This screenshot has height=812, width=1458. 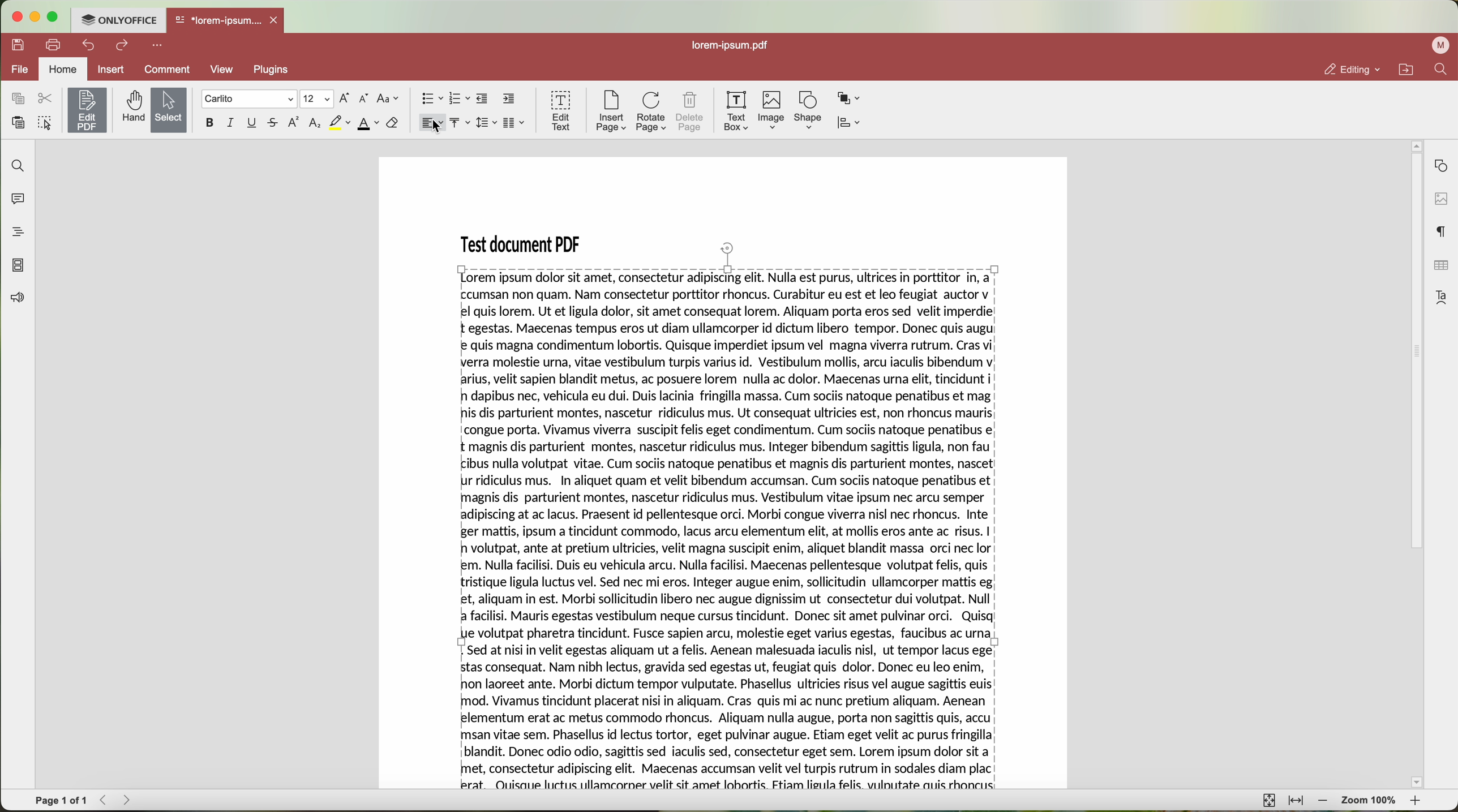 What do you see at coordinates (55, 17) in the screenshot?
I see `maximize` at bounding box center [55, 17].